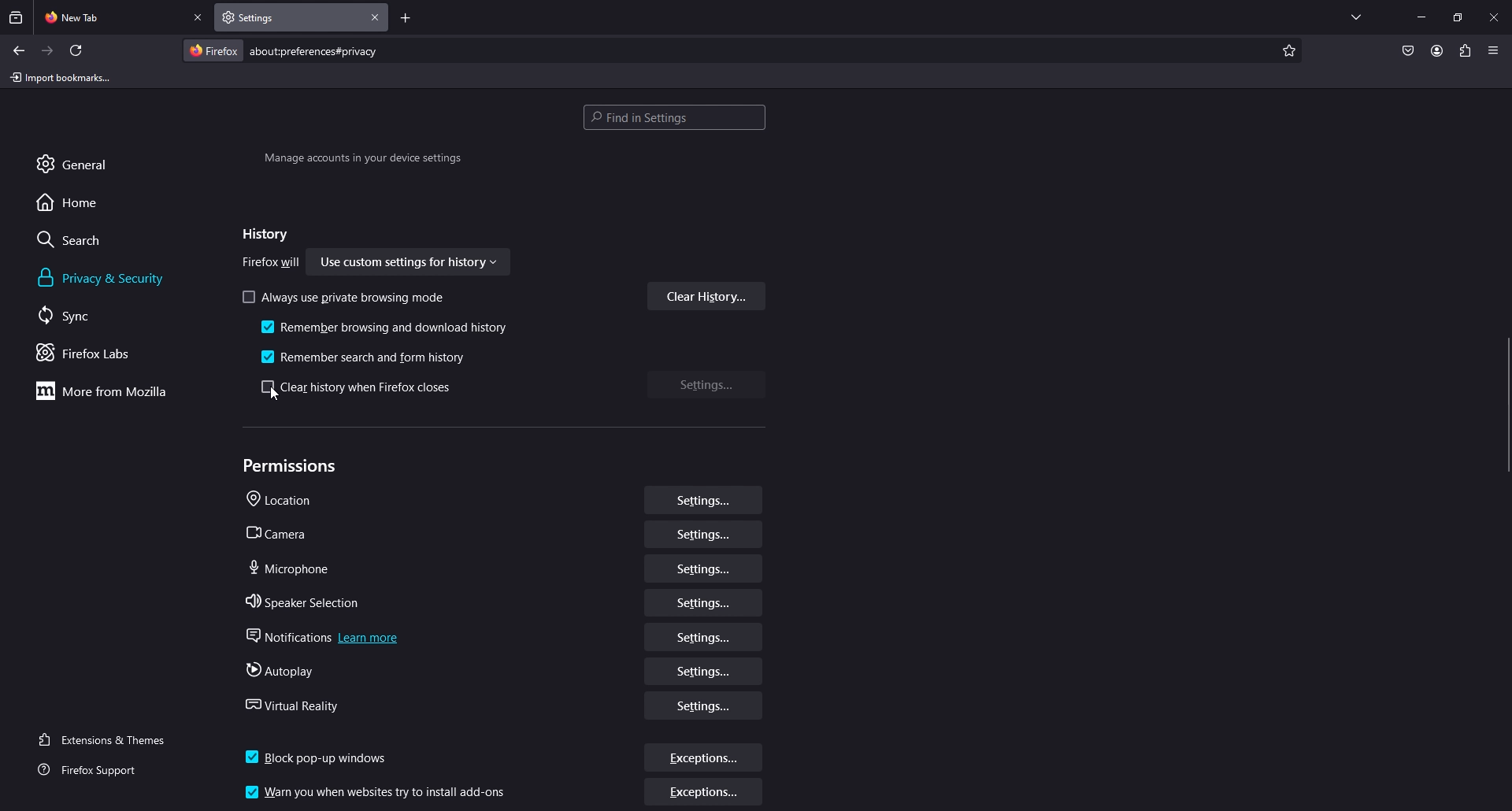 The width and height of the screenshot is (1512, 811). What do you see at coordinates (703, 502) in the screenshot?
I see `settings` at bounding box center [703, 502].